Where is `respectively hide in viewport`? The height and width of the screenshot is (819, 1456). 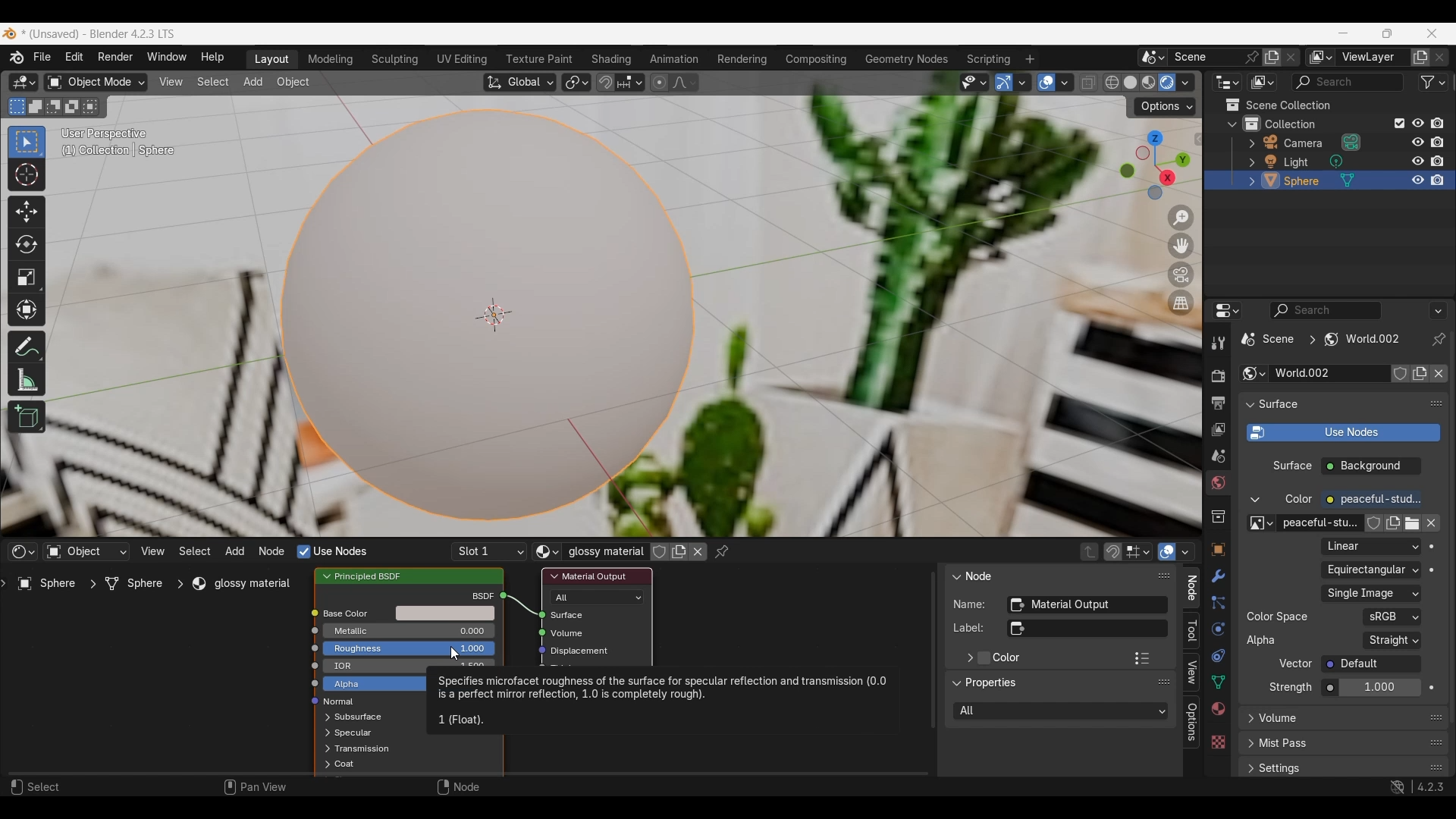 respectively hide in viewport is located at coordinates (1416, 180).